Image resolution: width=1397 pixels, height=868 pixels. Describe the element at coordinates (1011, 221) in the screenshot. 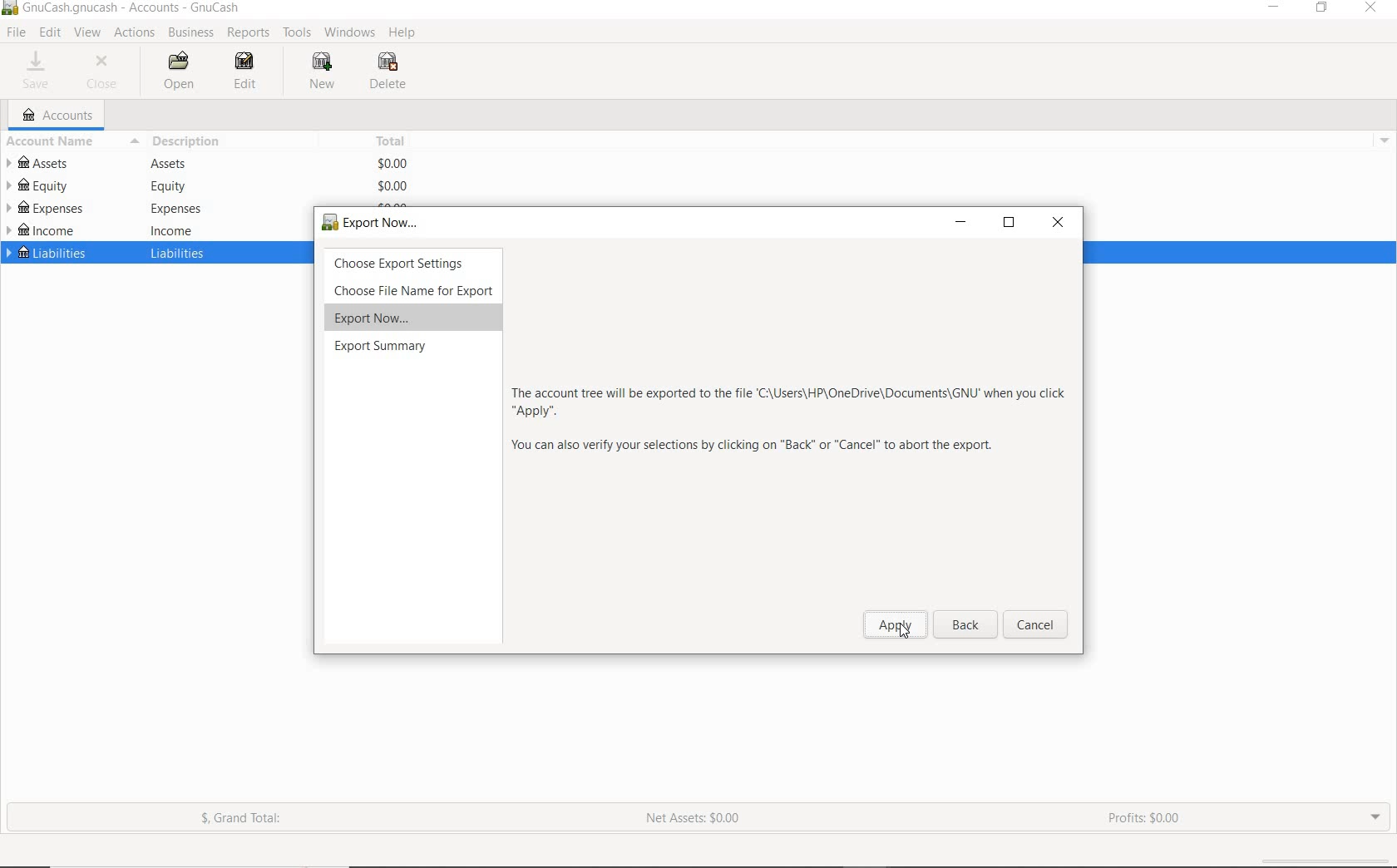

I see `restore` at that location.